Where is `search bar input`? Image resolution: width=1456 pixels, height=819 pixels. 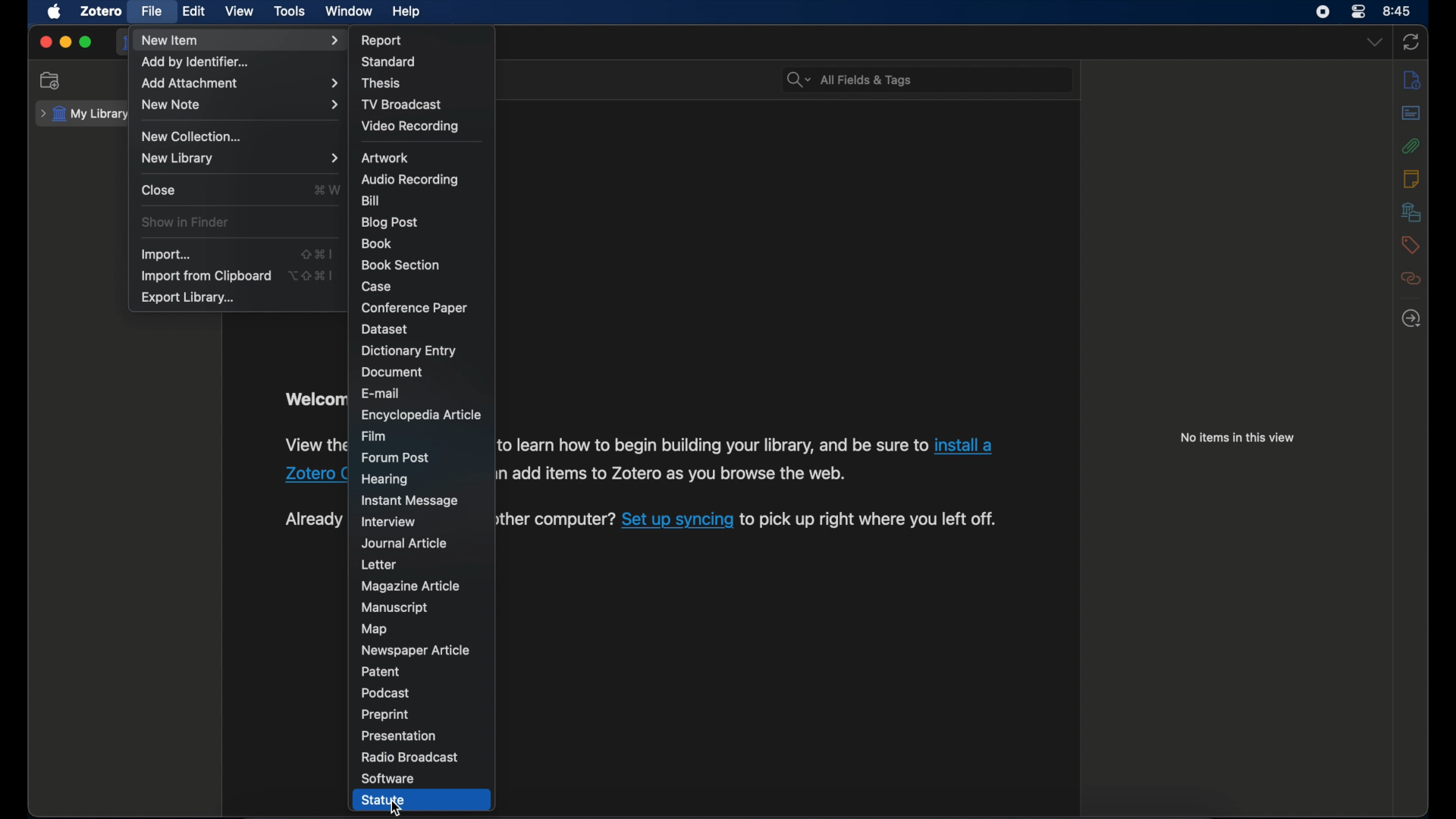 search bar input is located at coordinates (945, 81).